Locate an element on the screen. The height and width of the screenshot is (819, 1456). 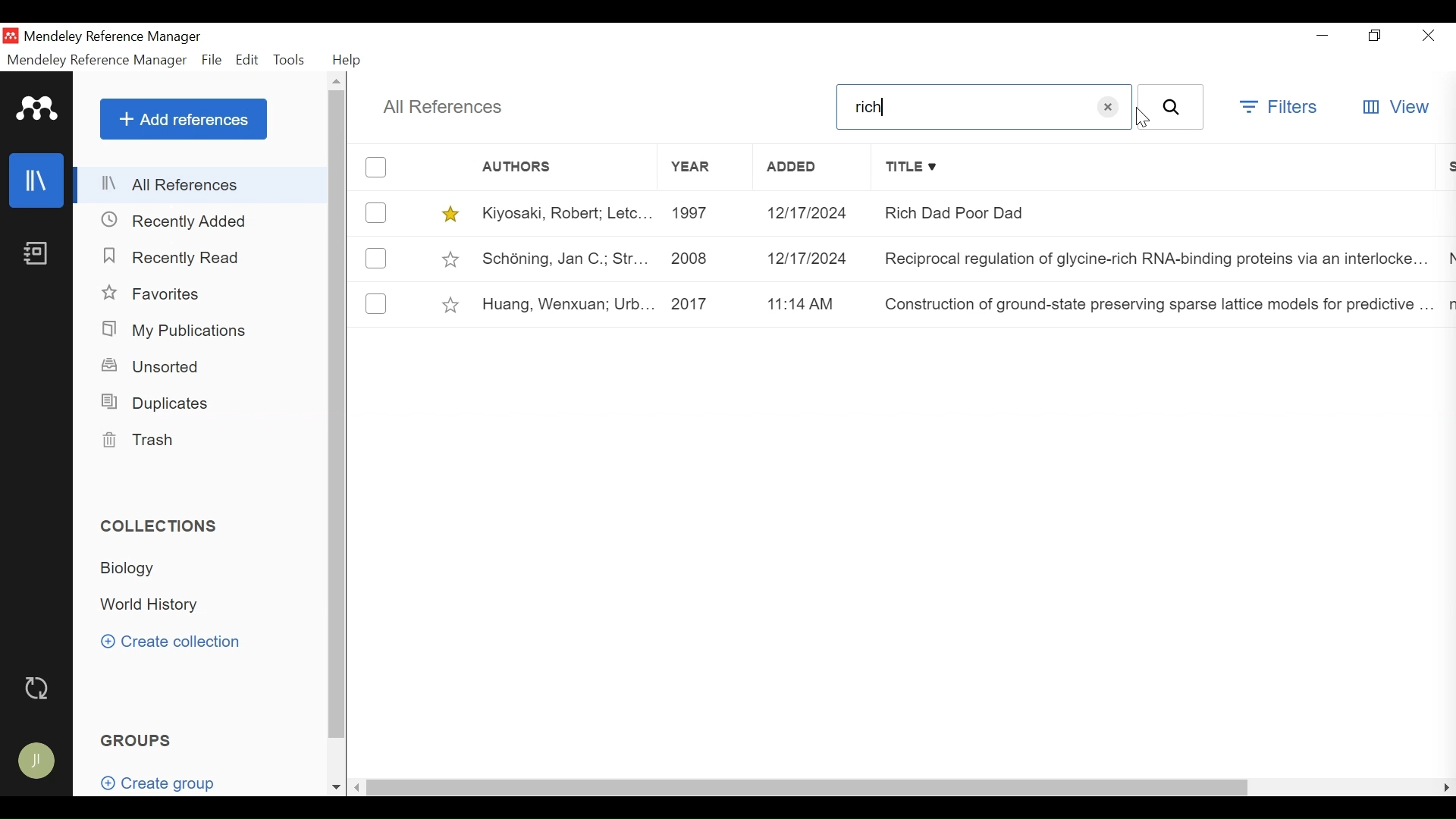
Library is located at coordinates (38, 180).